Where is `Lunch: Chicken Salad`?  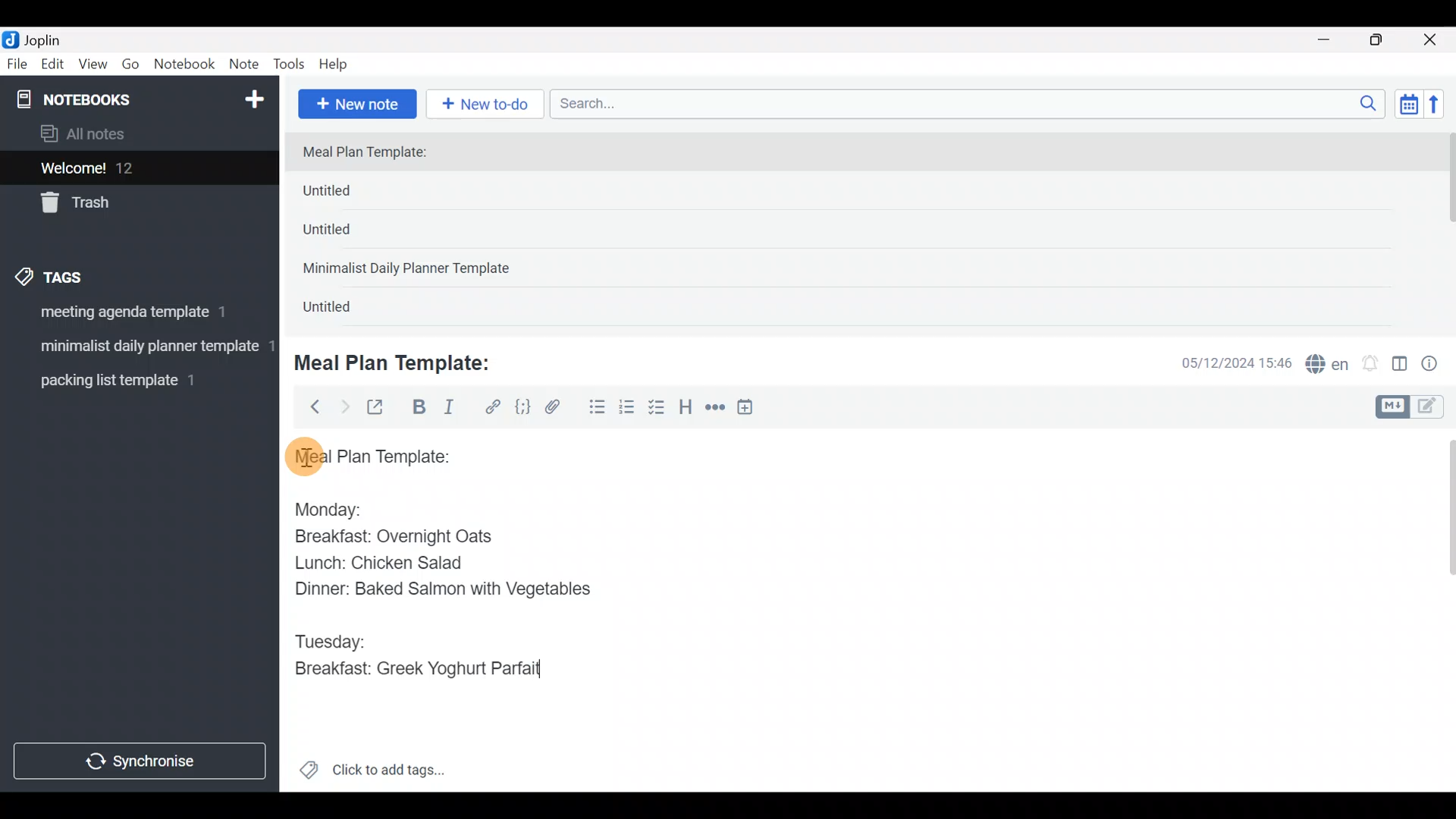 Lunch: Chicken Salad is located at coordinates (377, 563).